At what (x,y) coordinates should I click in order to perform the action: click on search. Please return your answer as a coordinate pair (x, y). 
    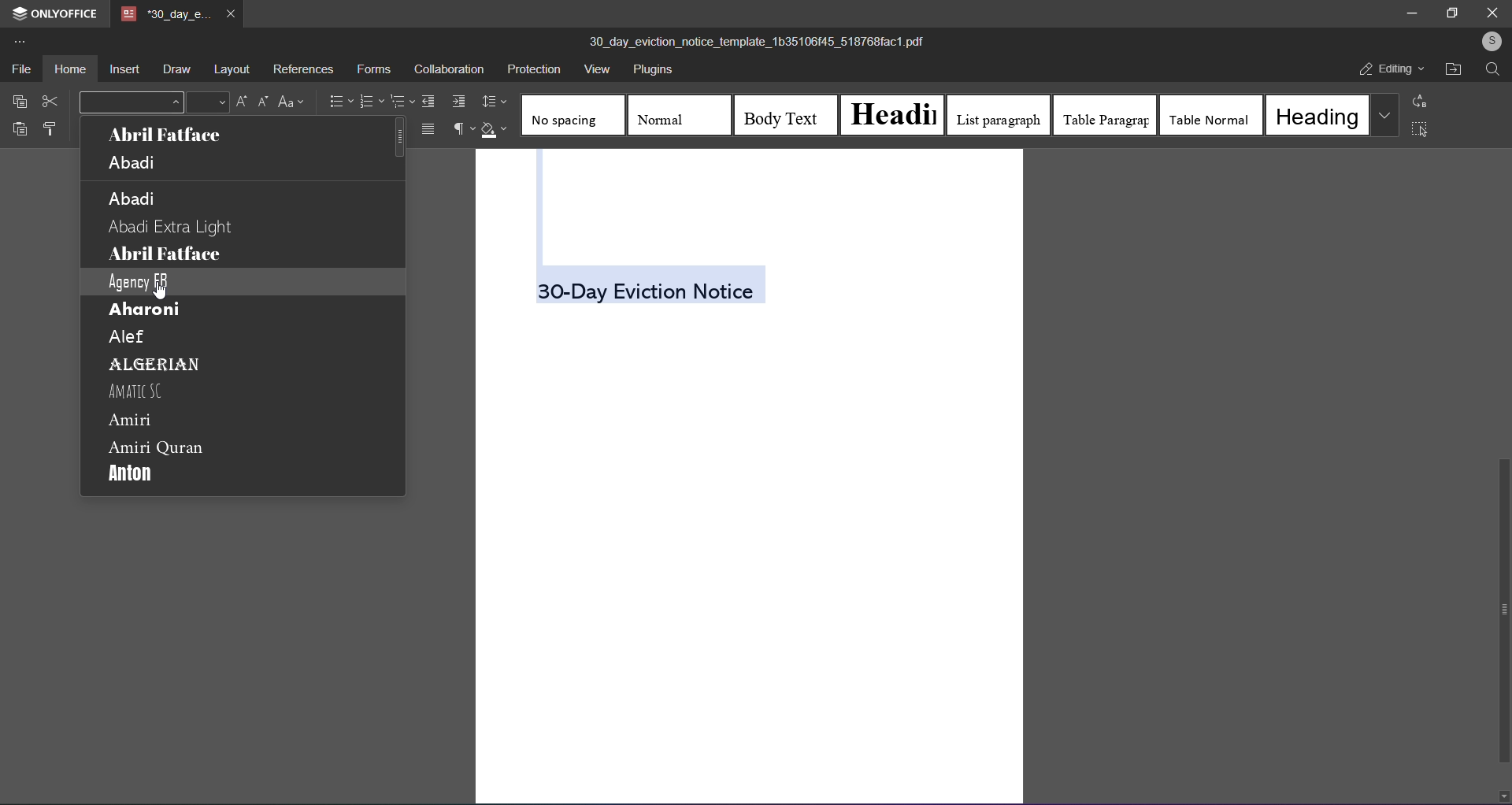
    Looking at the image, I should click on (1494, 70).